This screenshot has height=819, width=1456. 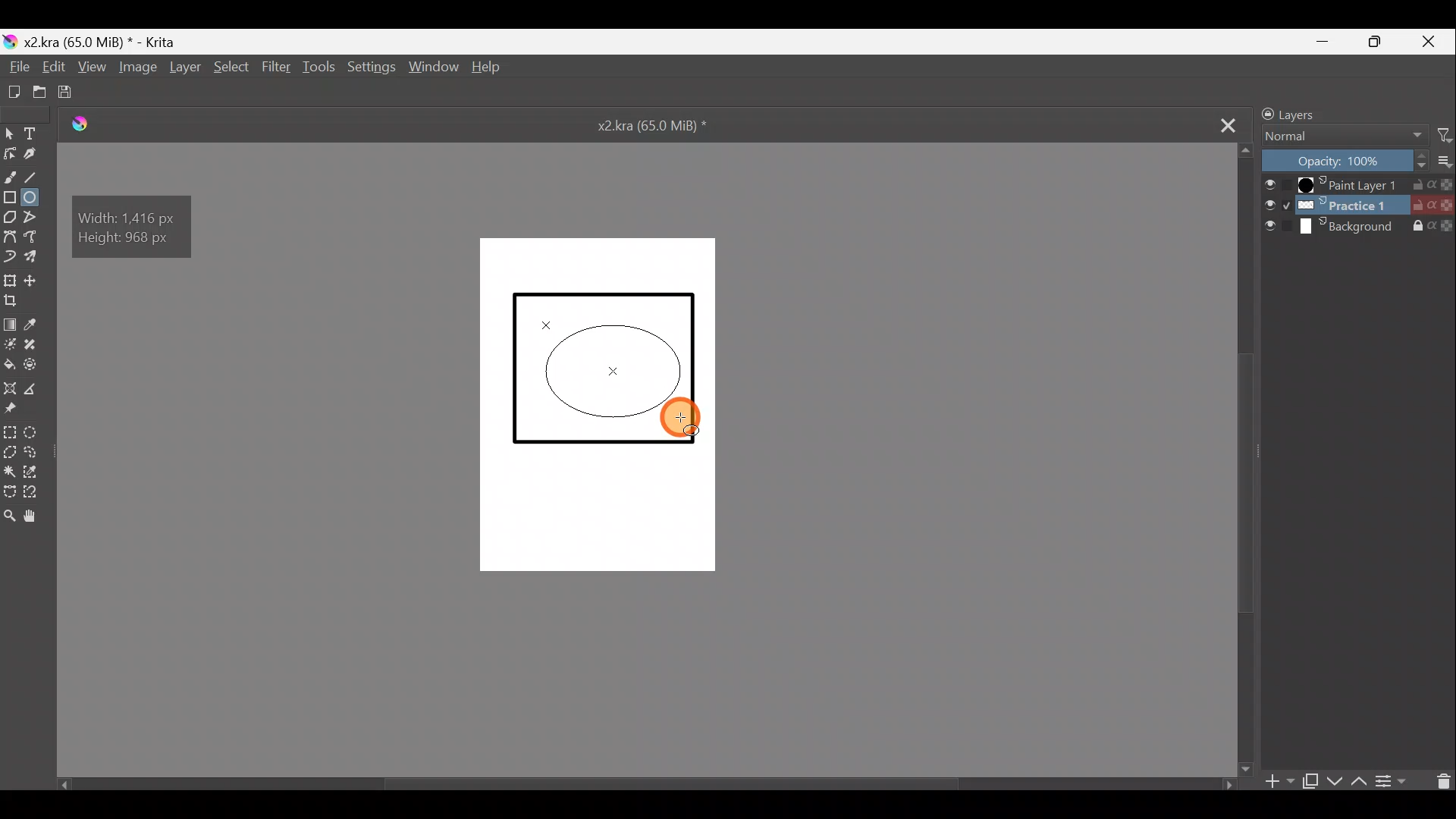 What do you see at coordinates (322, 68) in the screenshot?
I see `Tools` at bounding box center [322, 68].